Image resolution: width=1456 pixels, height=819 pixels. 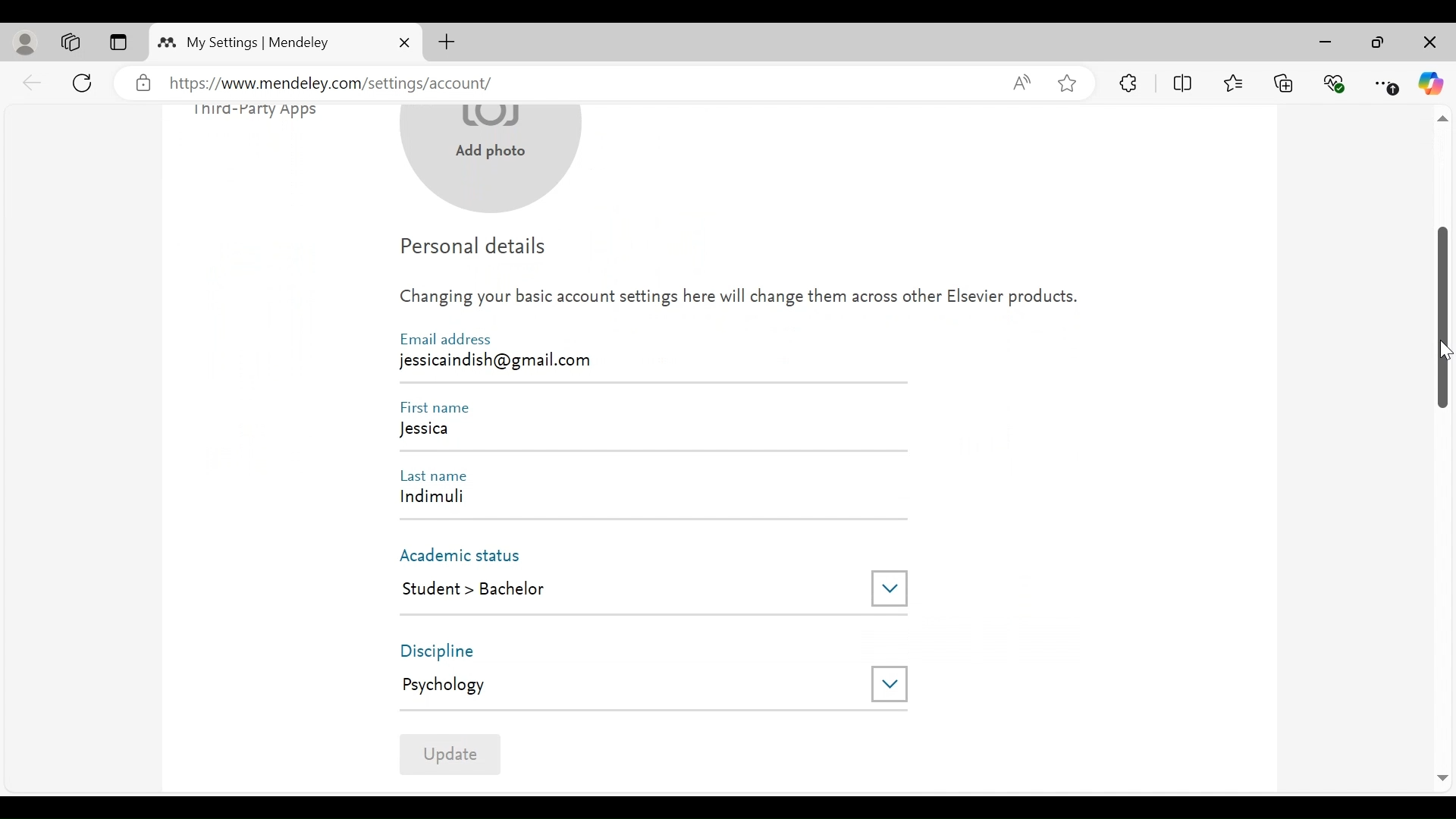 What do you see at coordinates (118, 43) in the screenshot?
I see `Tab Actions Menu` at bounding box center [118, 43].